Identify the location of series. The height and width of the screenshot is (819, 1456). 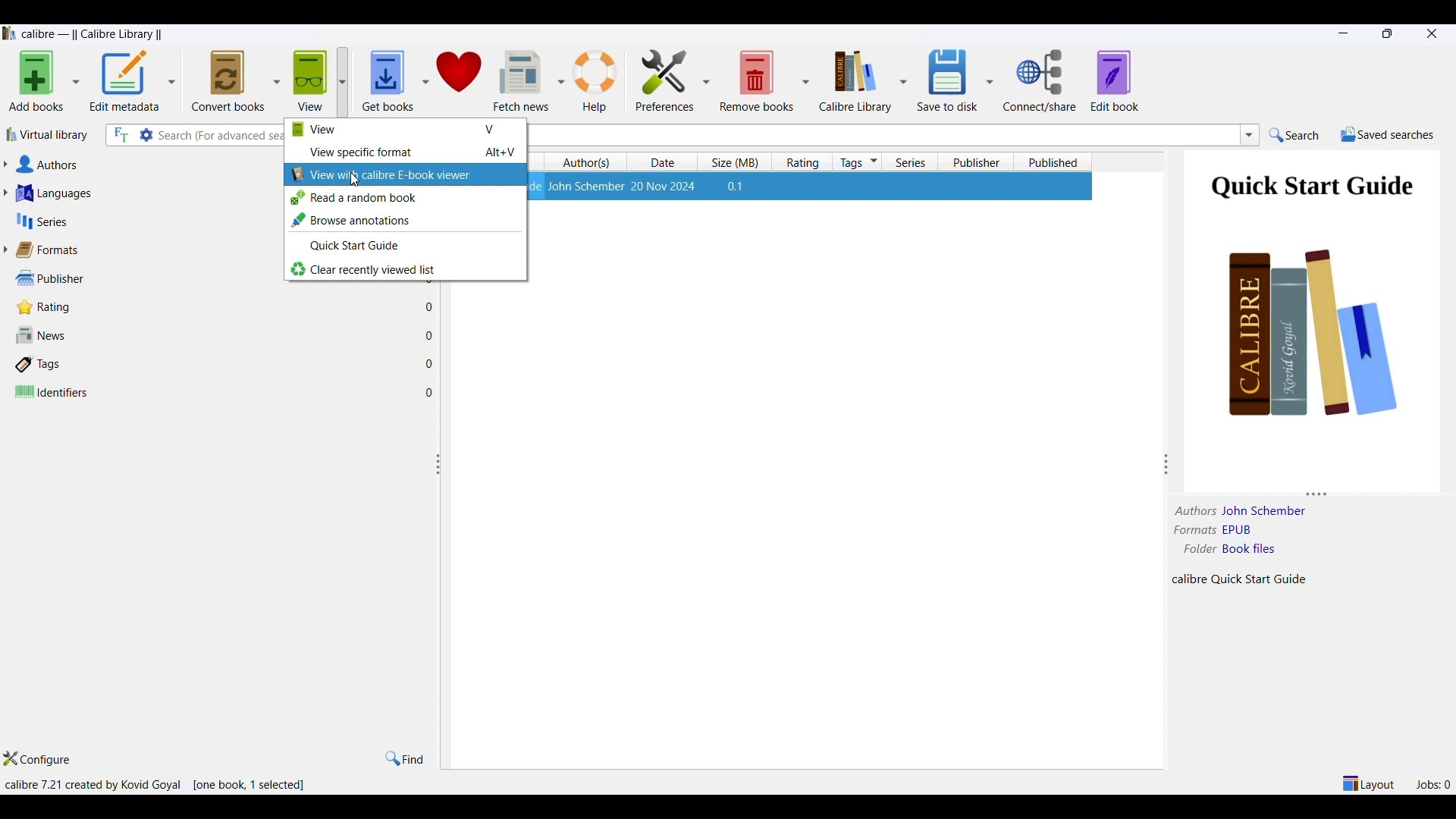
(916, 162).